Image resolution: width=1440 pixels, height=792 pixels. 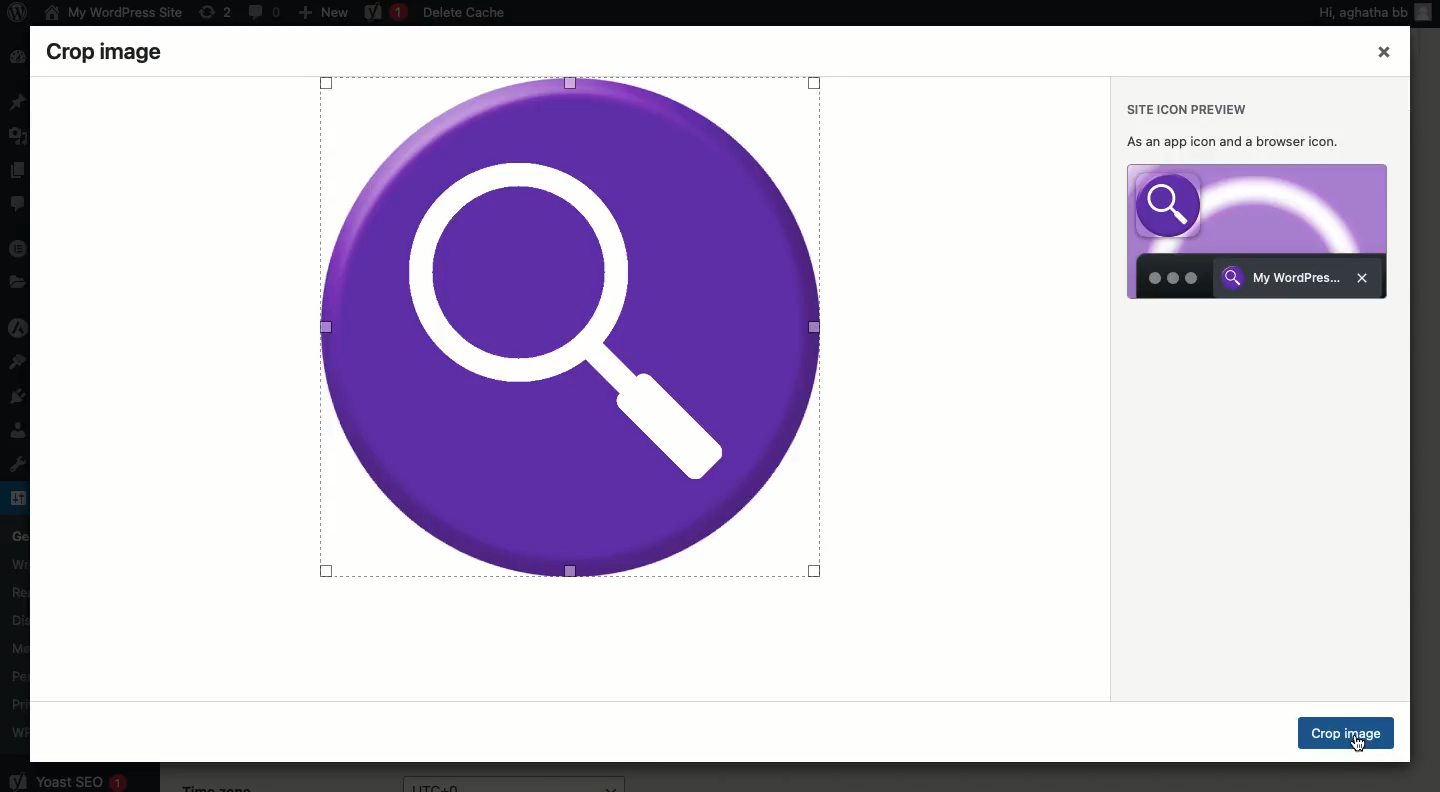 What do you see at coordinates (17, 283) in the screenshot?
I see `Templates` at bounding box center [17, 283].